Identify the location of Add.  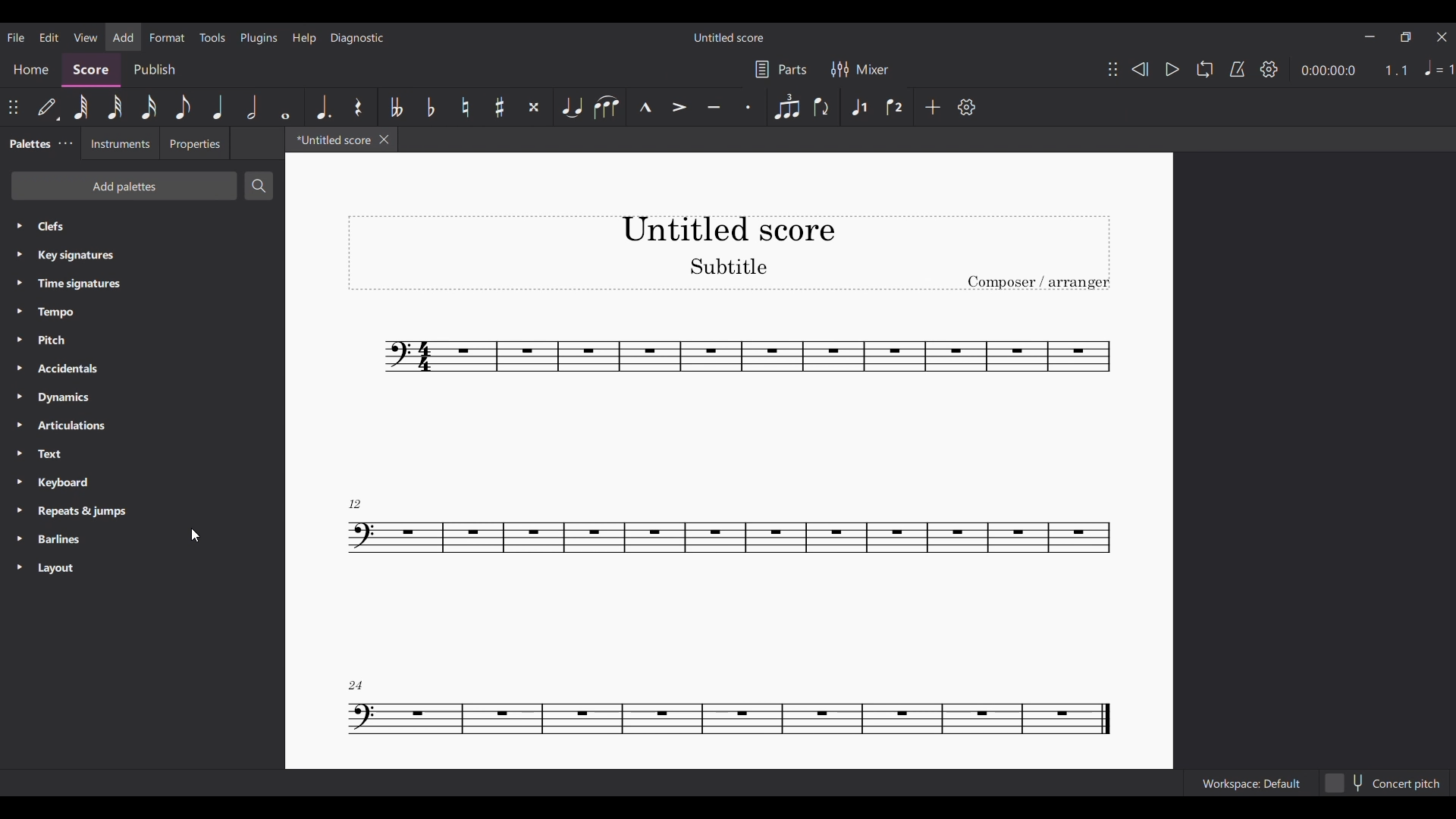
(123, 37).